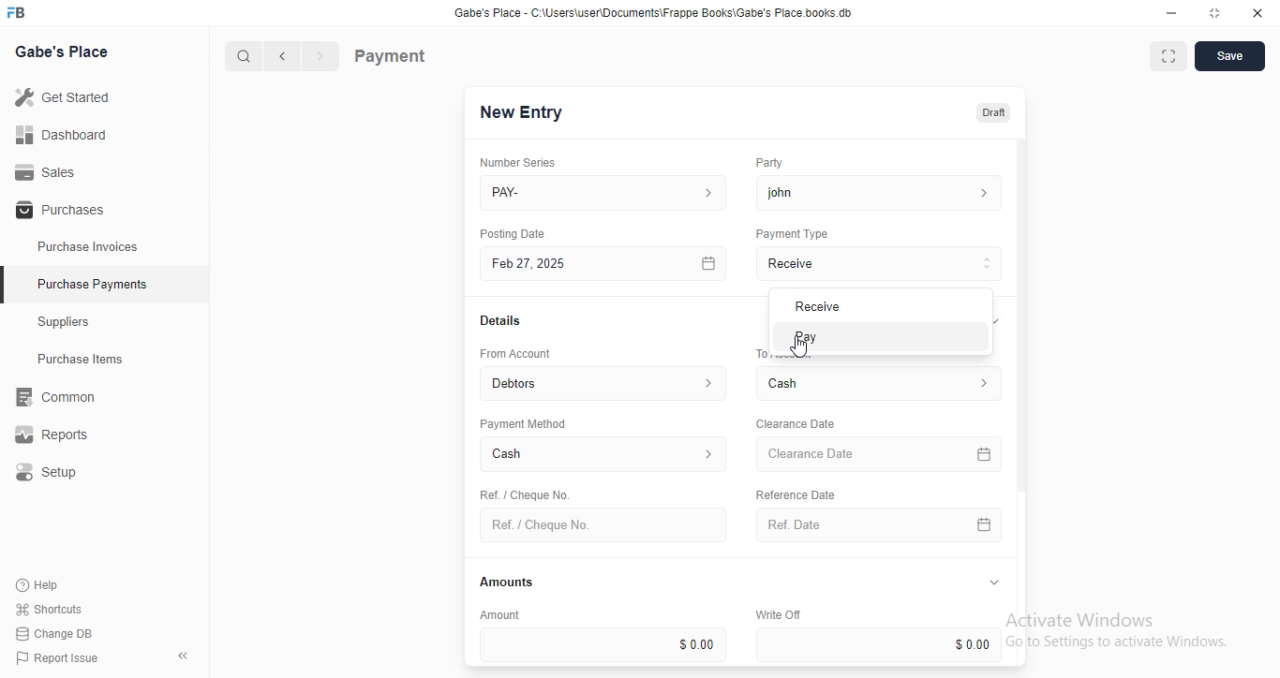 The width and height of the screenshot is (1280, 678). I want to click on Clearance Date, so click(882, 455).